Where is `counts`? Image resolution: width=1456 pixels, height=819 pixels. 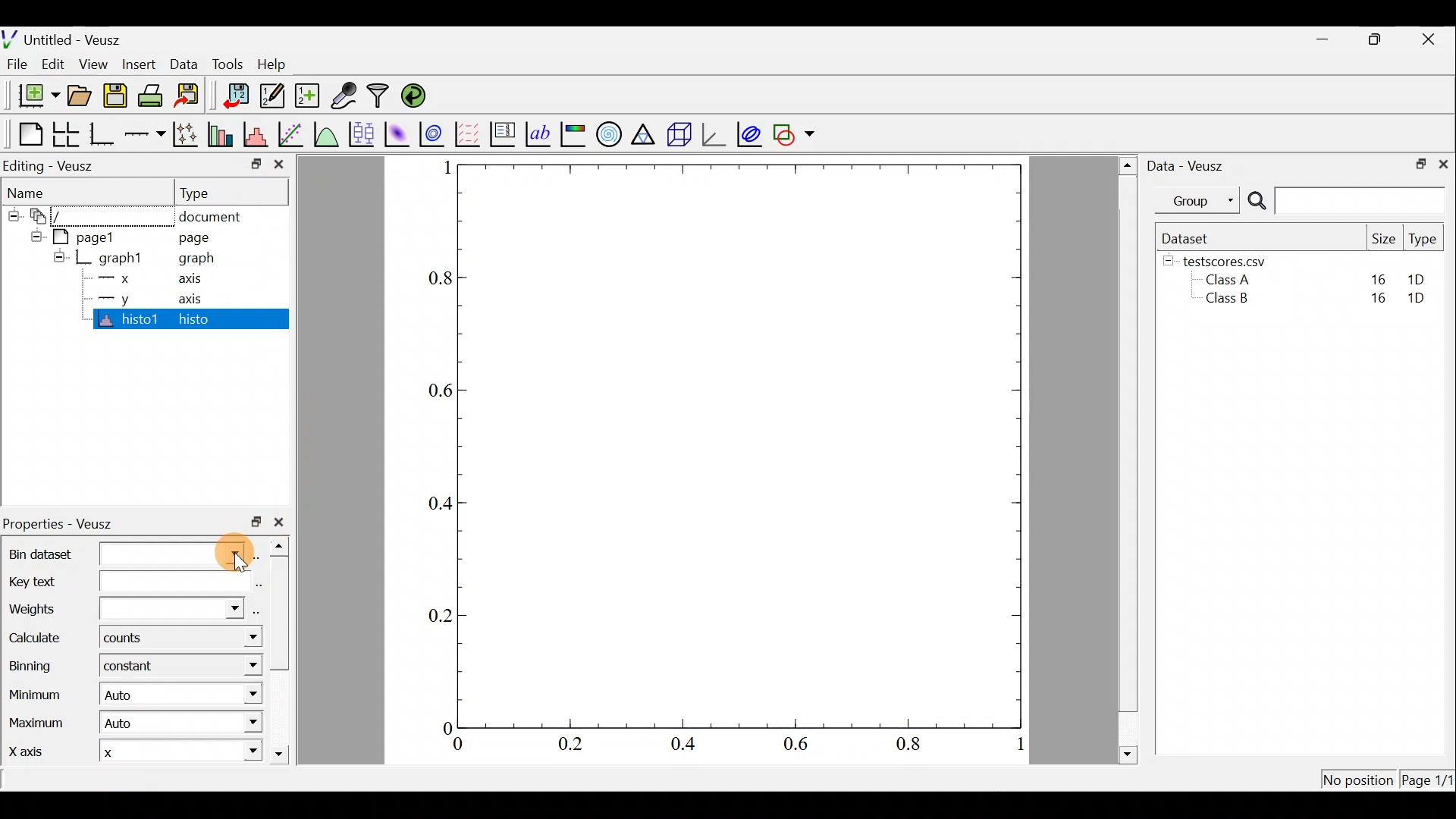
counts is located at coordinates (129, 641).